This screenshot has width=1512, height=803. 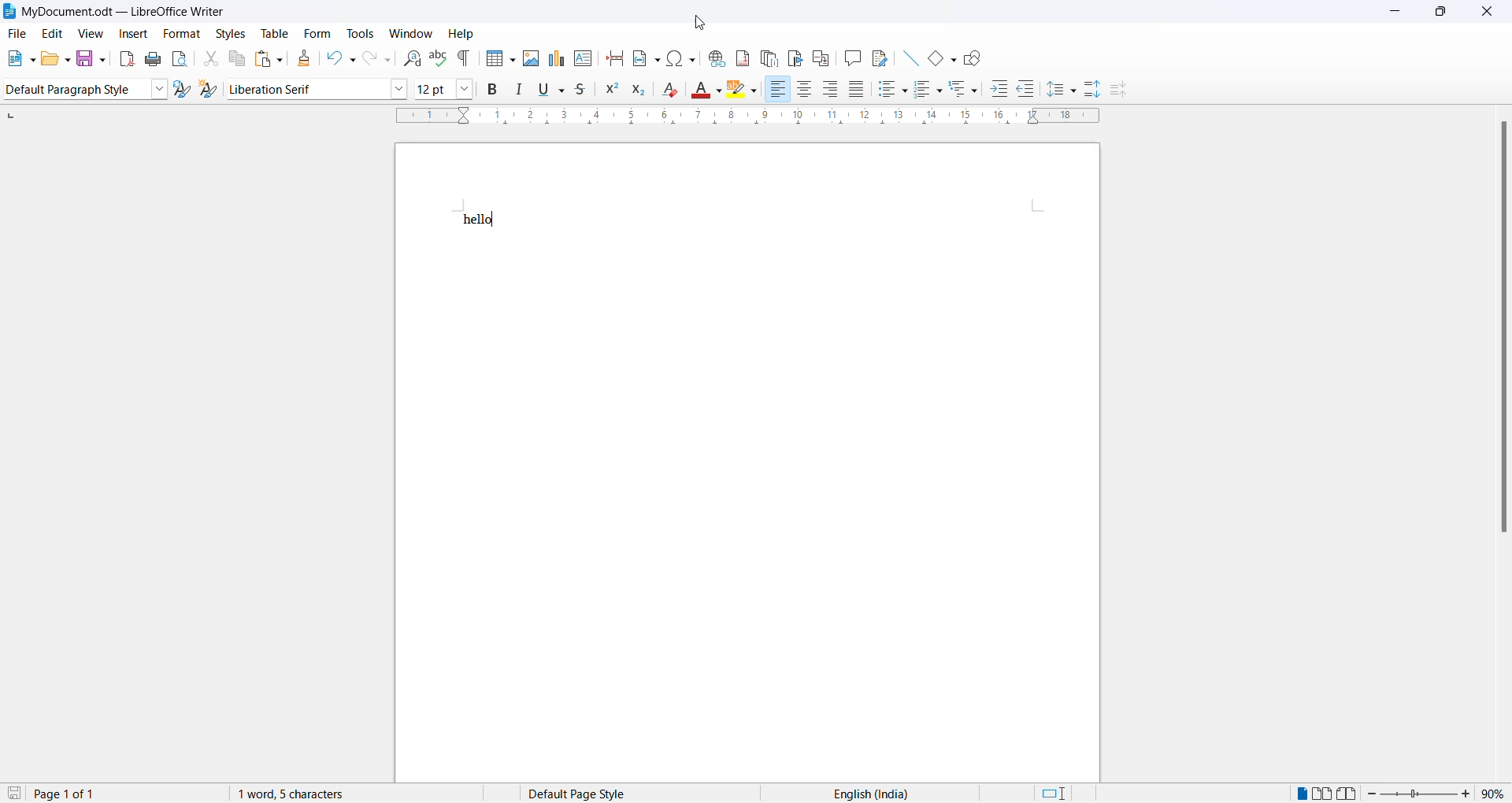 What do you see at coordinates (867, 793) in the screenshot?
I see `Text language` at bounding box center [867, 793].